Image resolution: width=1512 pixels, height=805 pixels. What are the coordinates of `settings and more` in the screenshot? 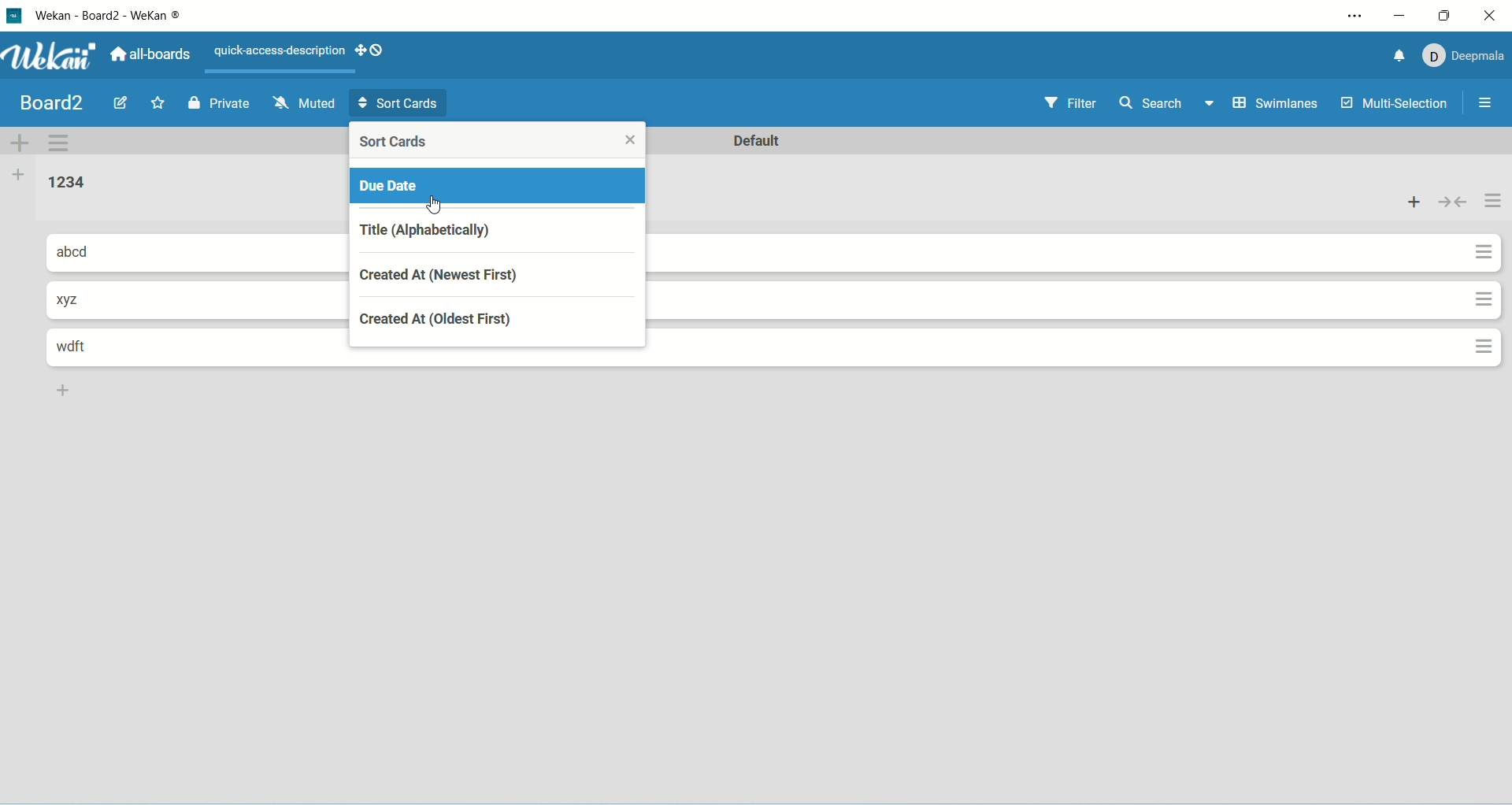 It's located at (1355, 15).